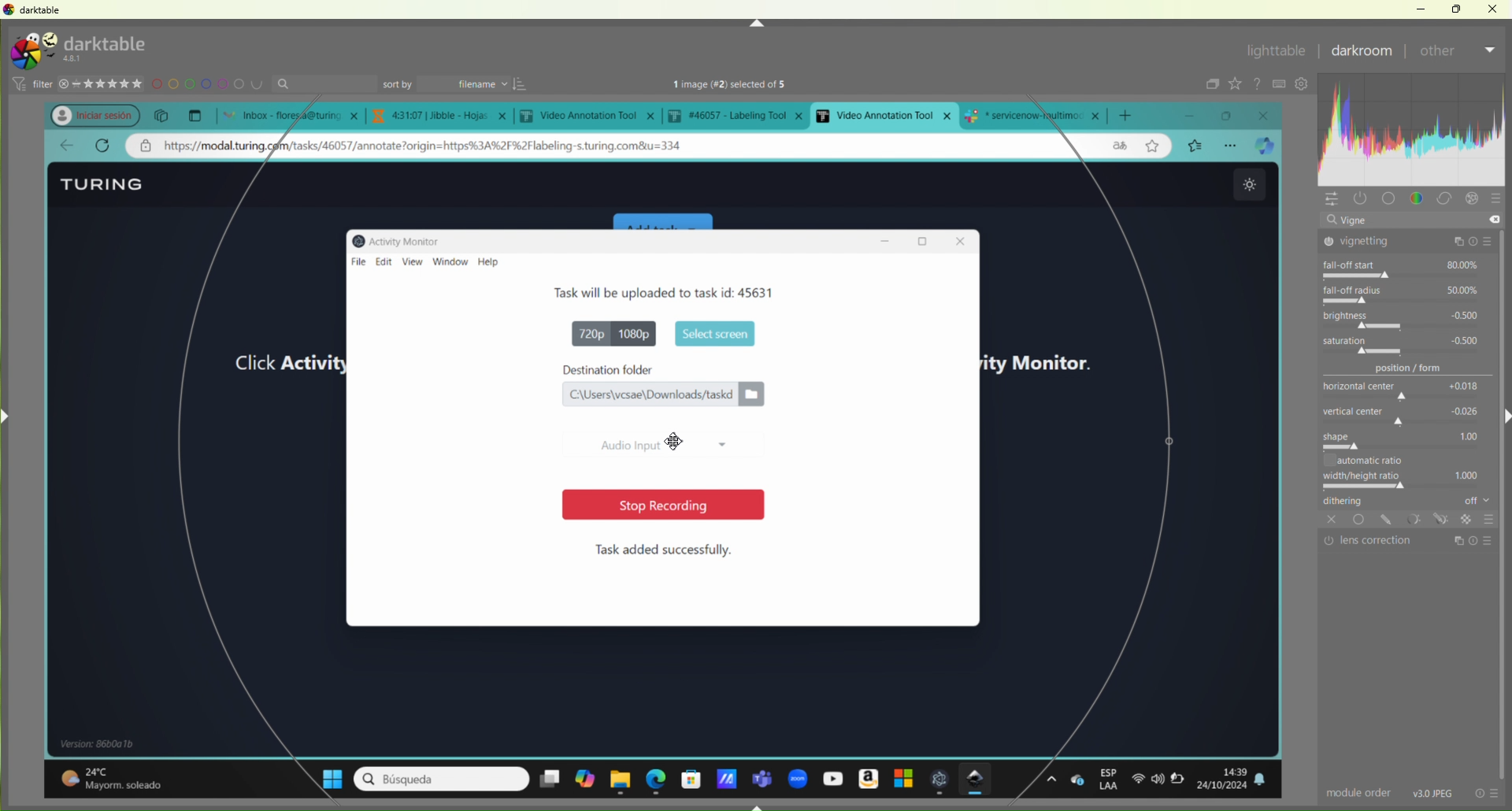  Describe the element at coordinates (454, 83) in the screenshot. I see `sort by` at that location.